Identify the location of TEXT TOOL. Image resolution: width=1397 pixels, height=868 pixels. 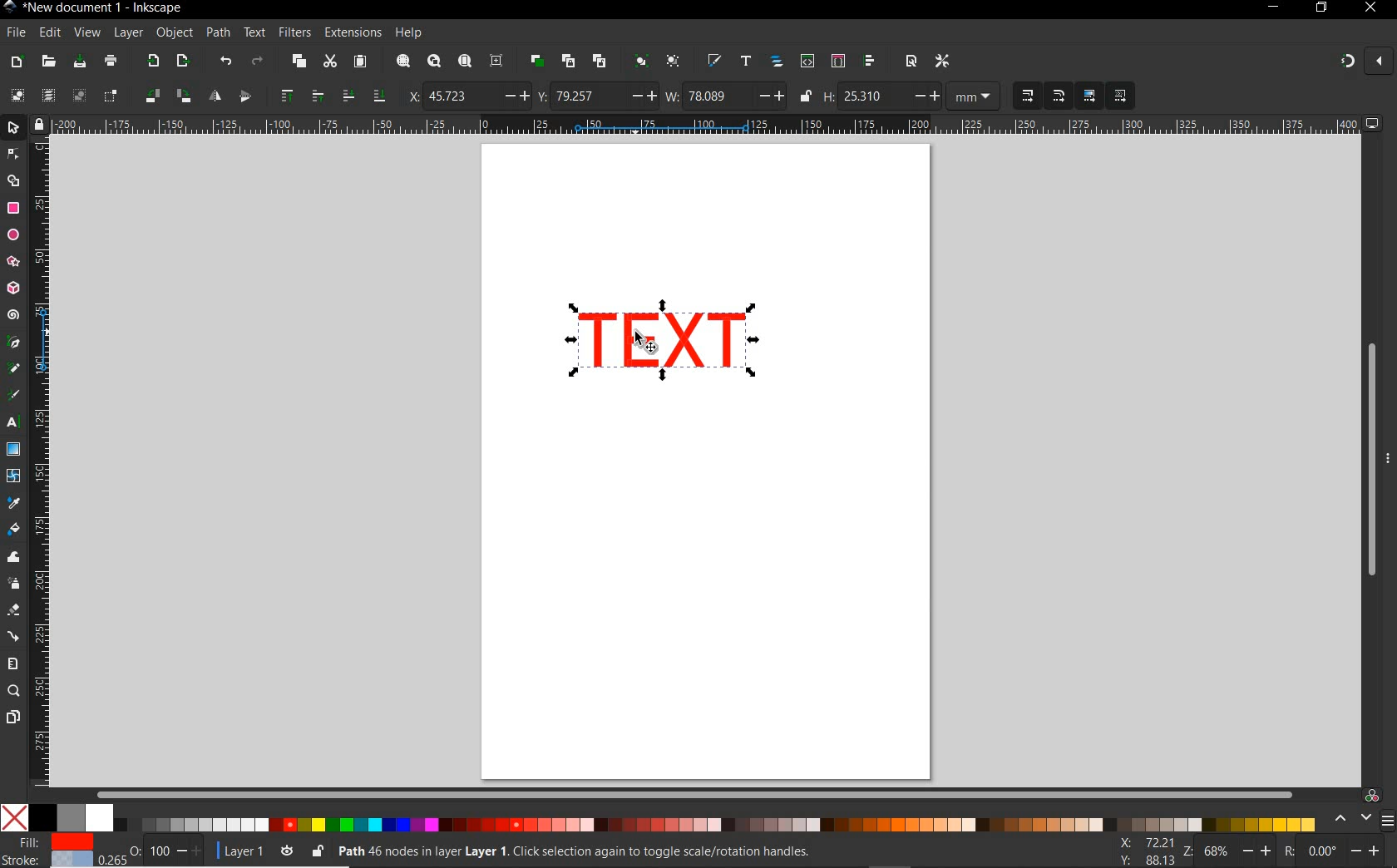
(15, 422).